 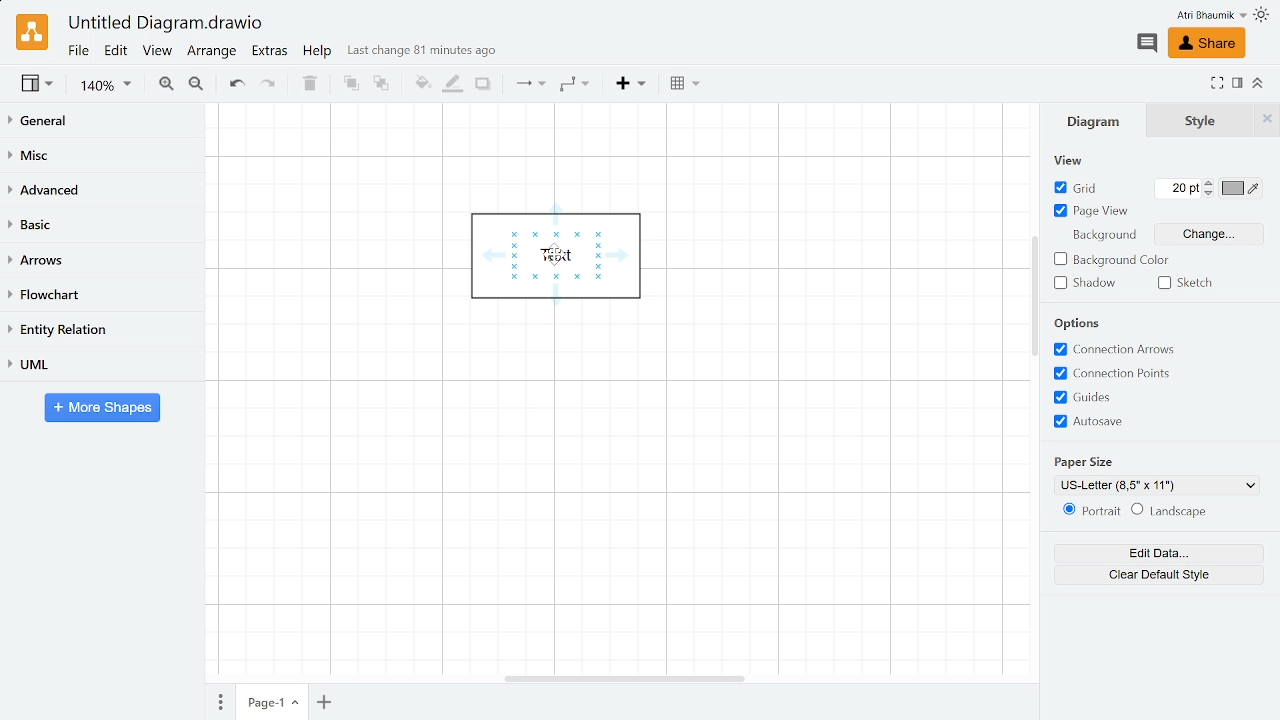 What do you see at coordinates (1202, 120) in the screenshot?
I see `Style` at bounding box center [1202, 120].